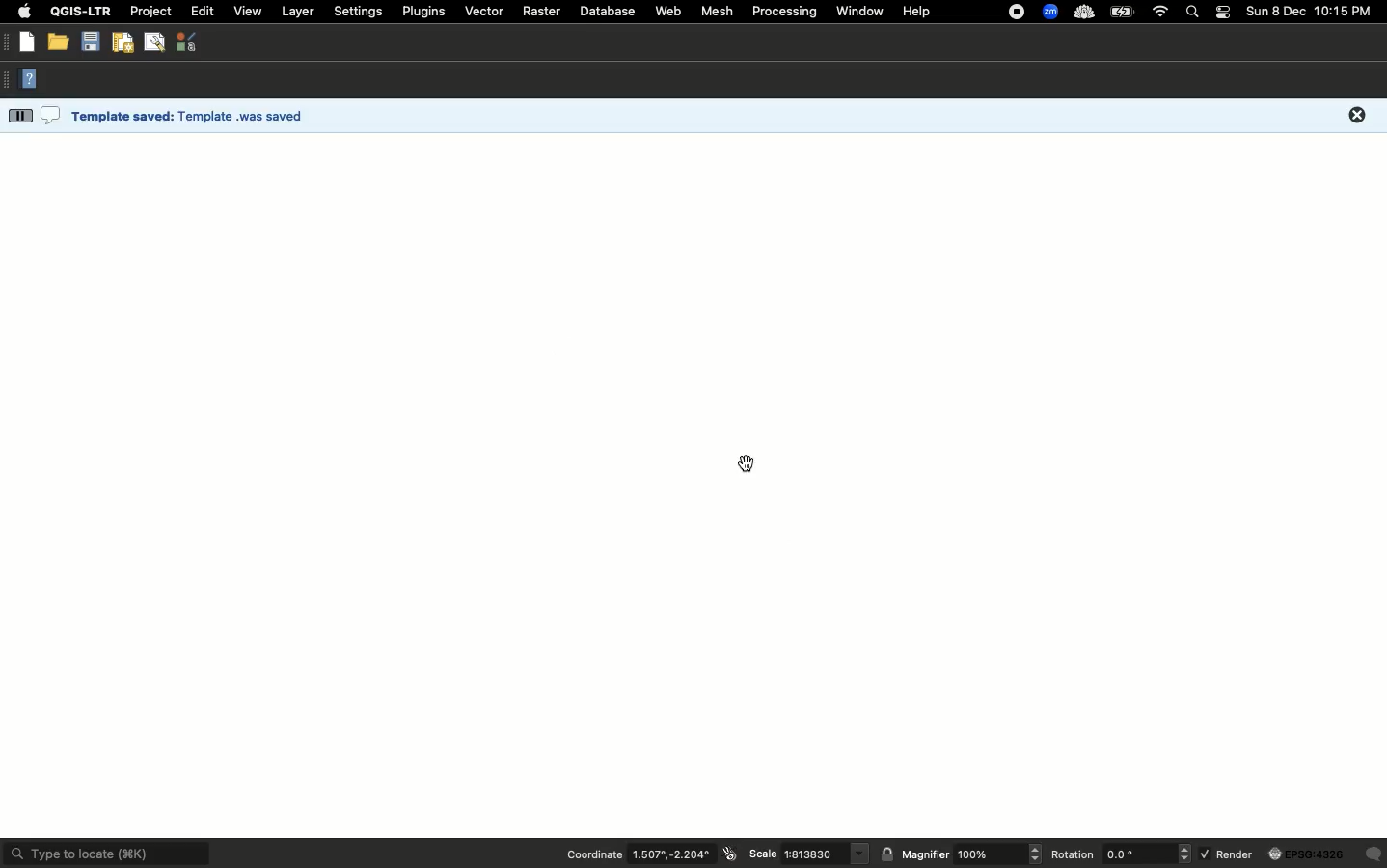 The width and height of the screenshot is (1387, 868). I want to click on Project, so click(152, 12).